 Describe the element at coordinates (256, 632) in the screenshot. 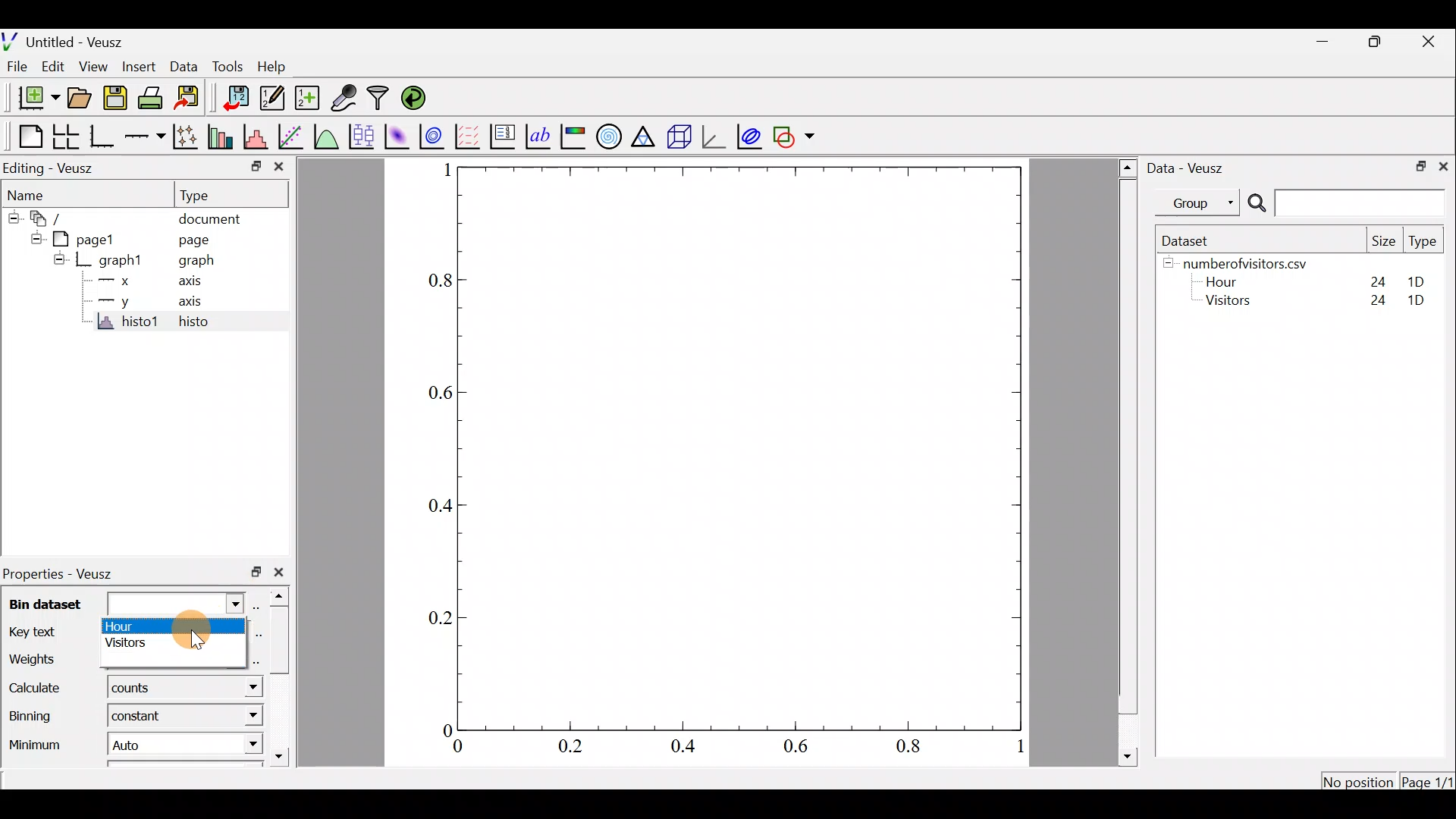

I see `Edit text` at that location.